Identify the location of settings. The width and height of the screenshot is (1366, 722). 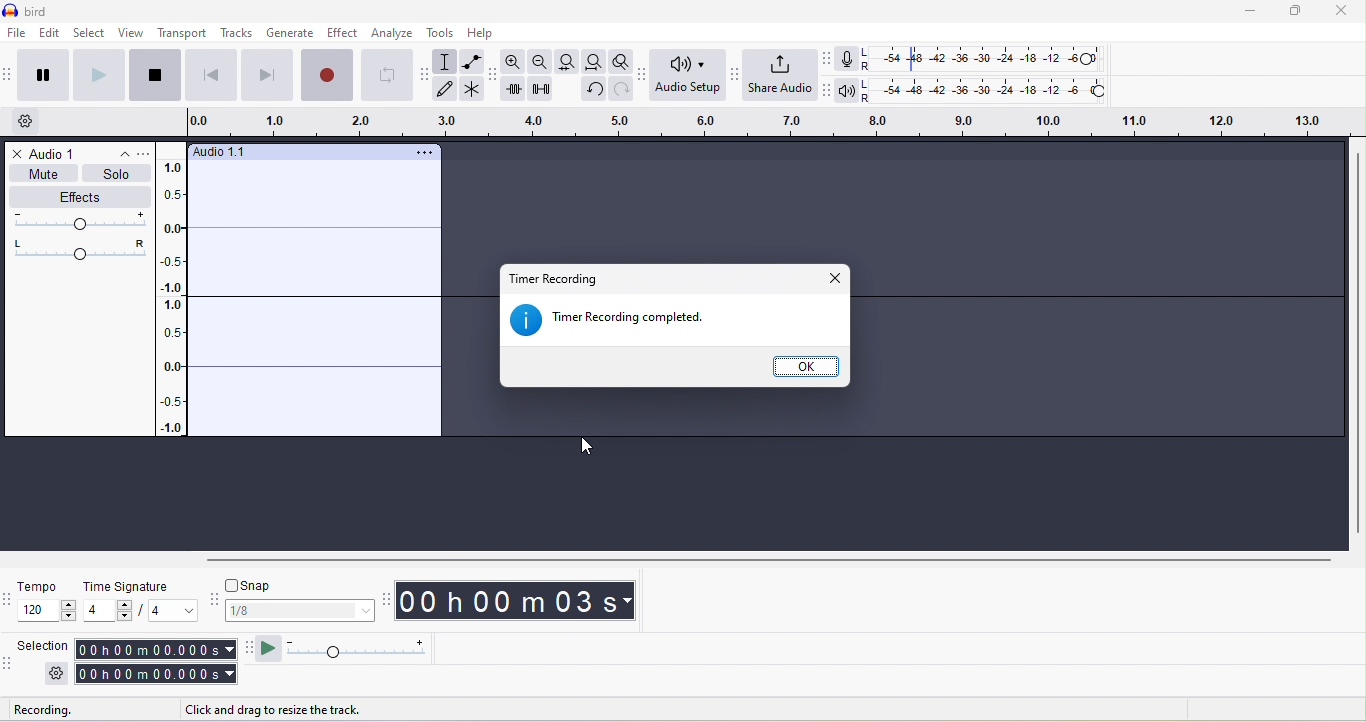
(54, 676).